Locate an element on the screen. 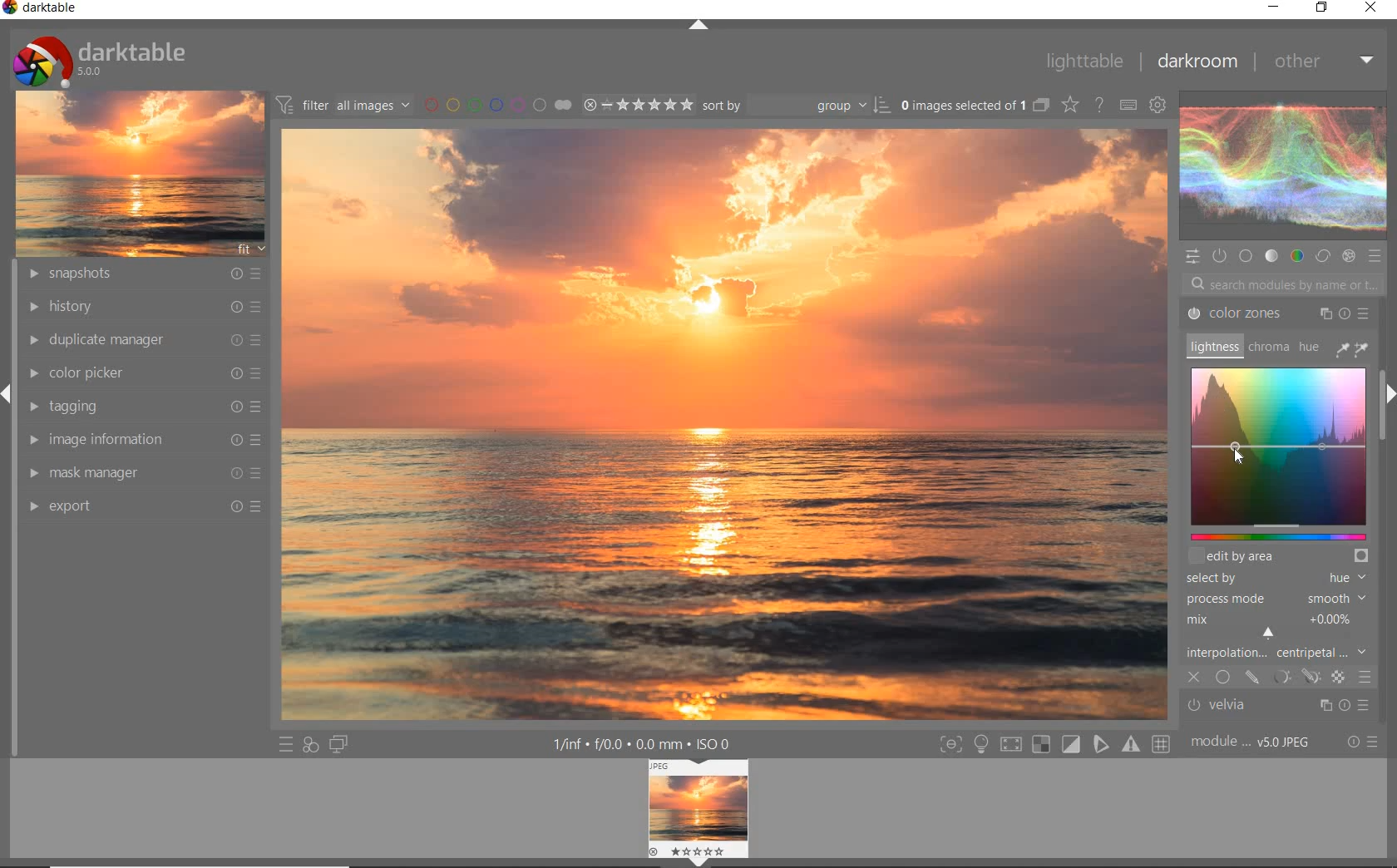 This screenshot has height=868, width=1397. COLOR ZONES MAP is located at coordinates (1276, 451).